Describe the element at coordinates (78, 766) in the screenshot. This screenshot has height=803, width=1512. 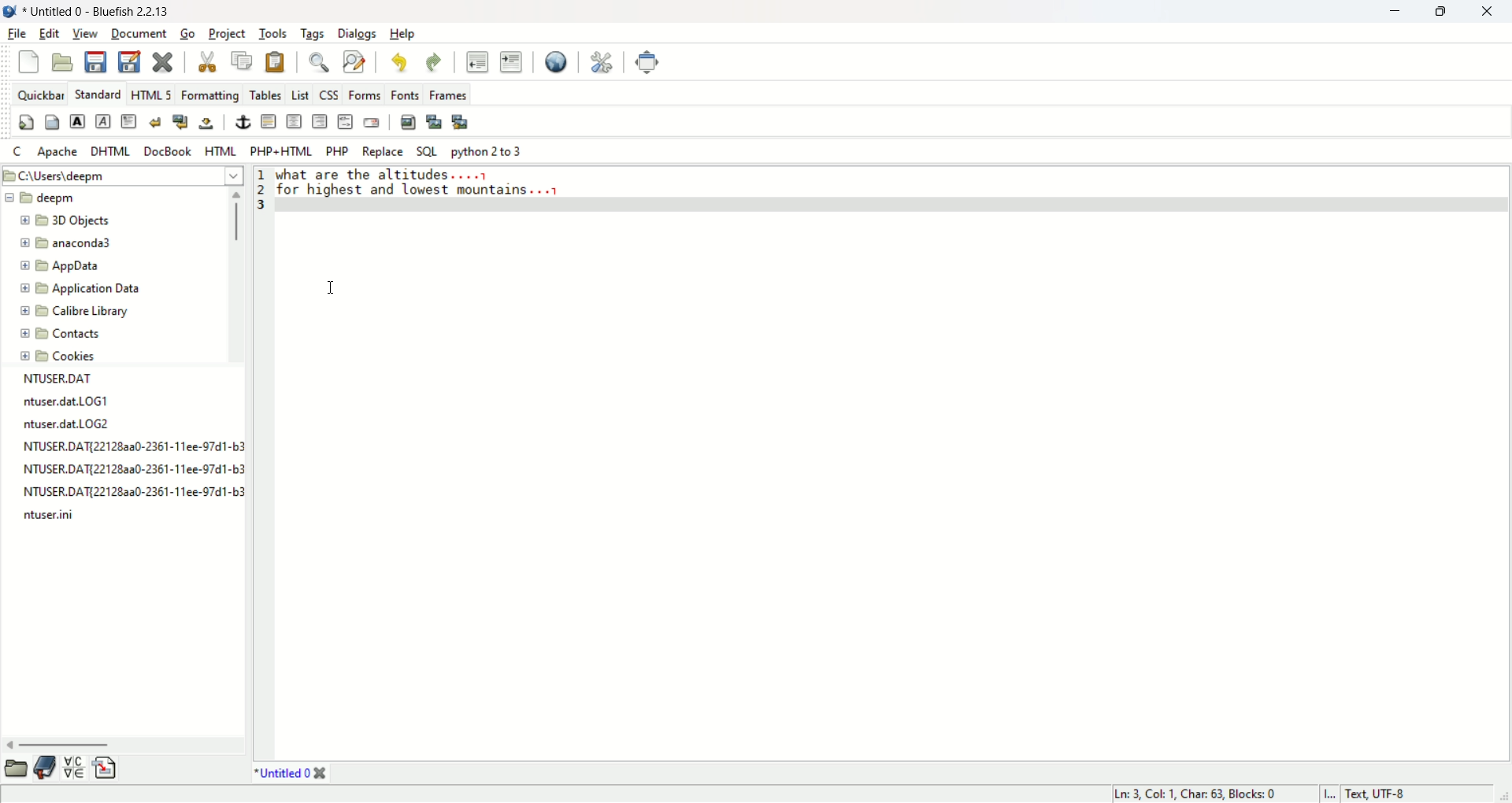
I see `insert special character` at that location.